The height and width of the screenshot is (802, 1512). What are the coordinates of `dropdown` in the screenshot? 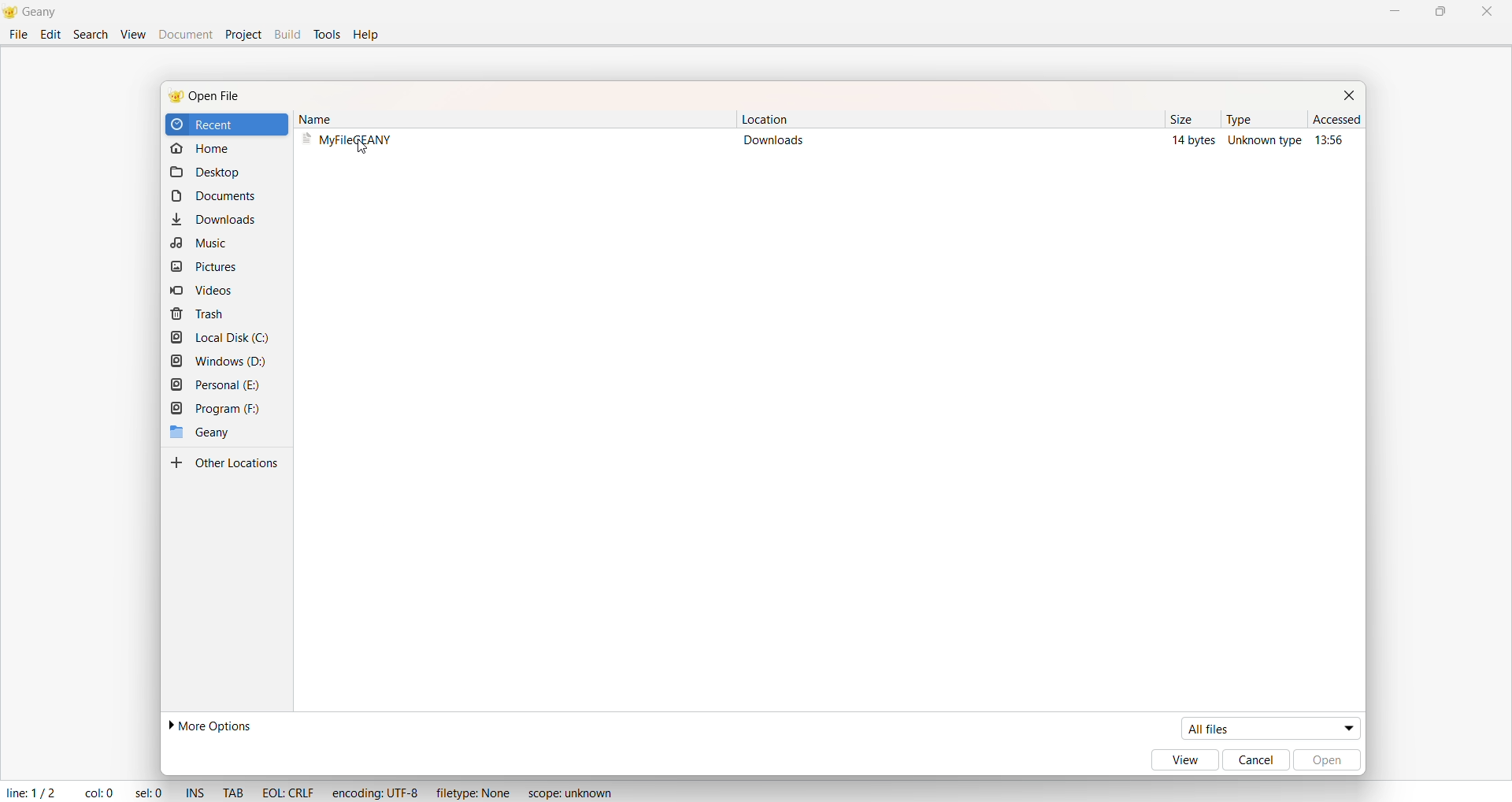 It's located at (1345, 727).